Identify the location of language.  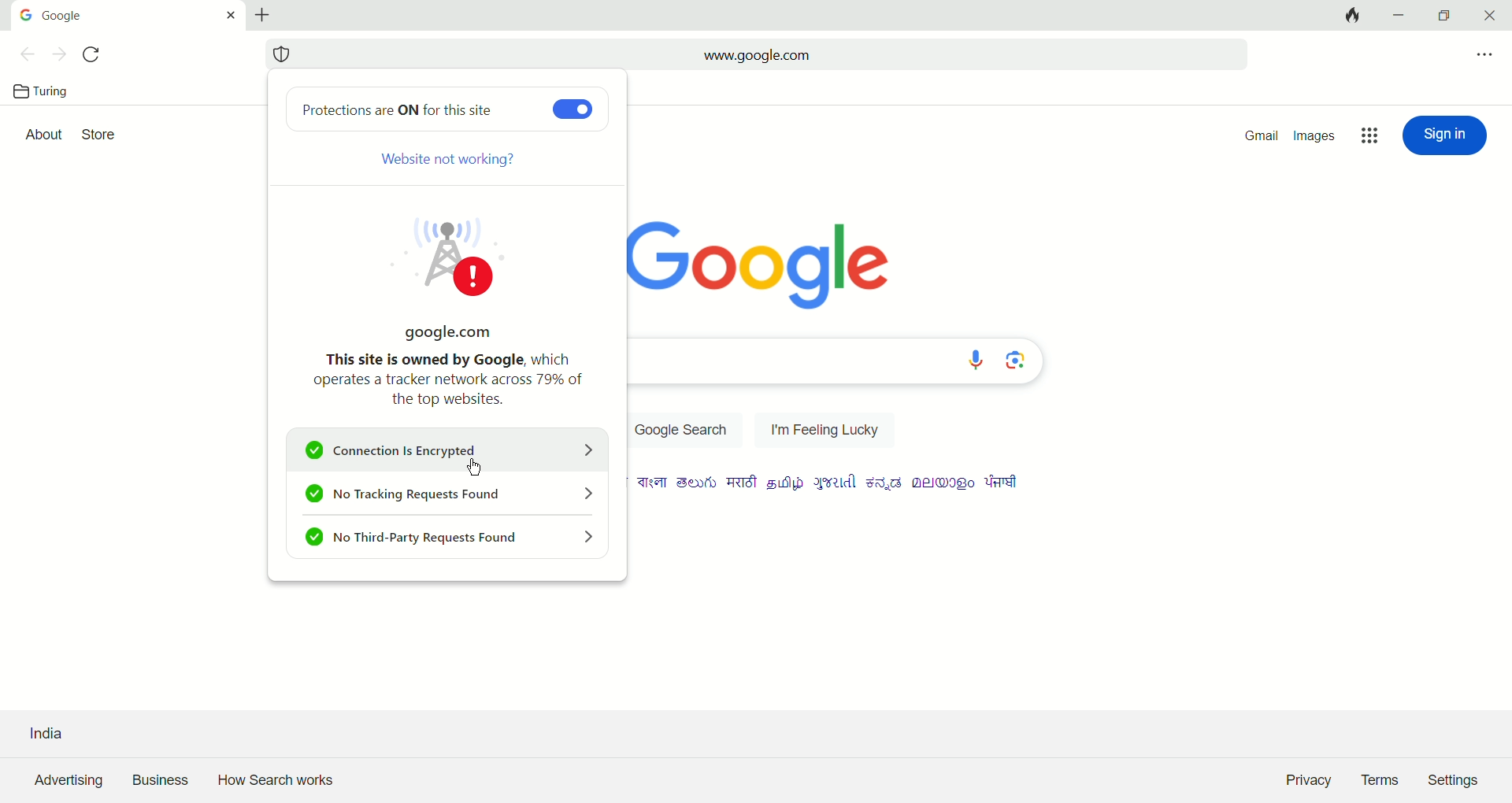
(654, 483).